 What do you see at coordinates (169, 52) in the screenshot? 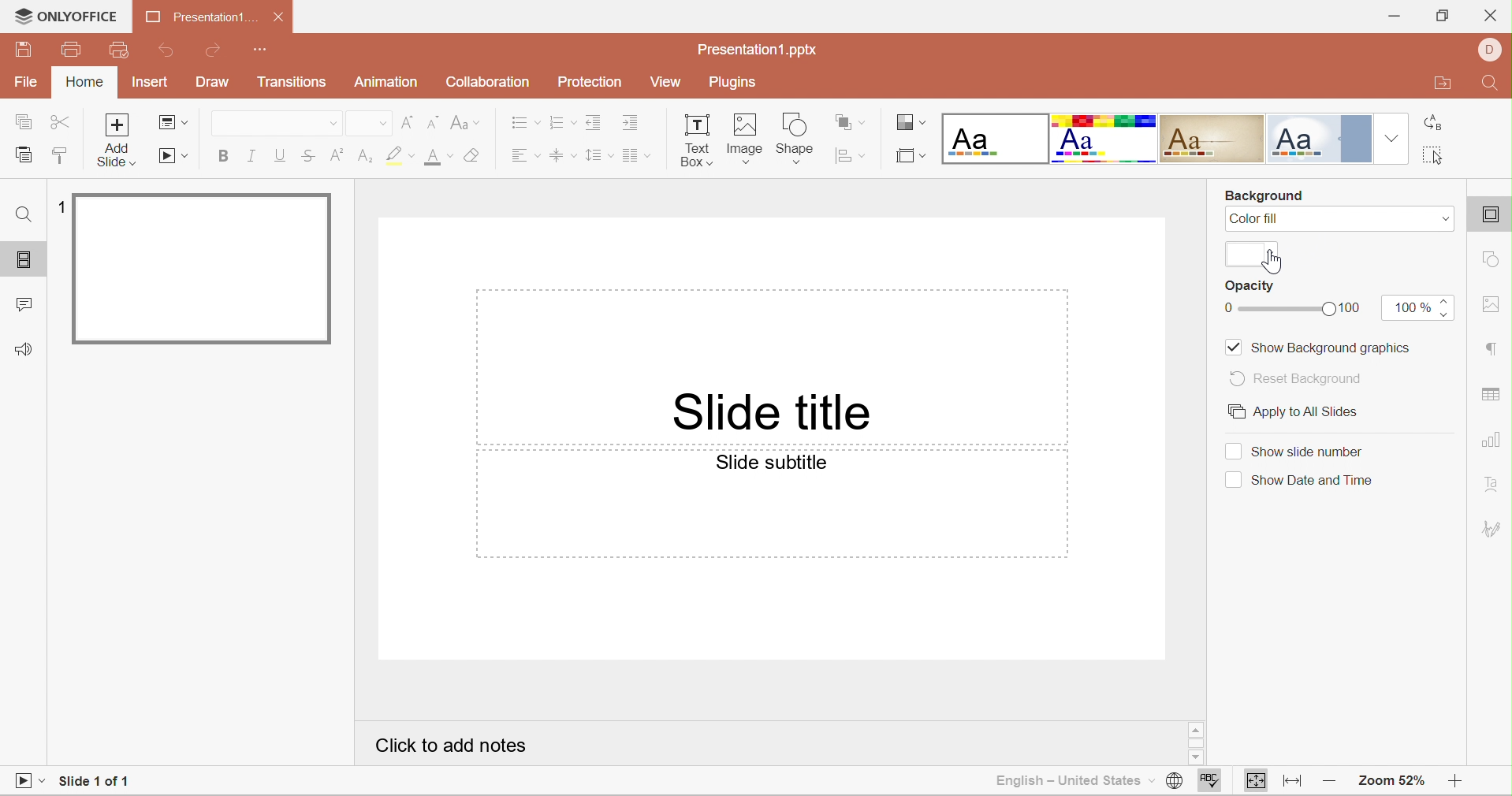
I see `Undo` at bounding box center [169, 52].